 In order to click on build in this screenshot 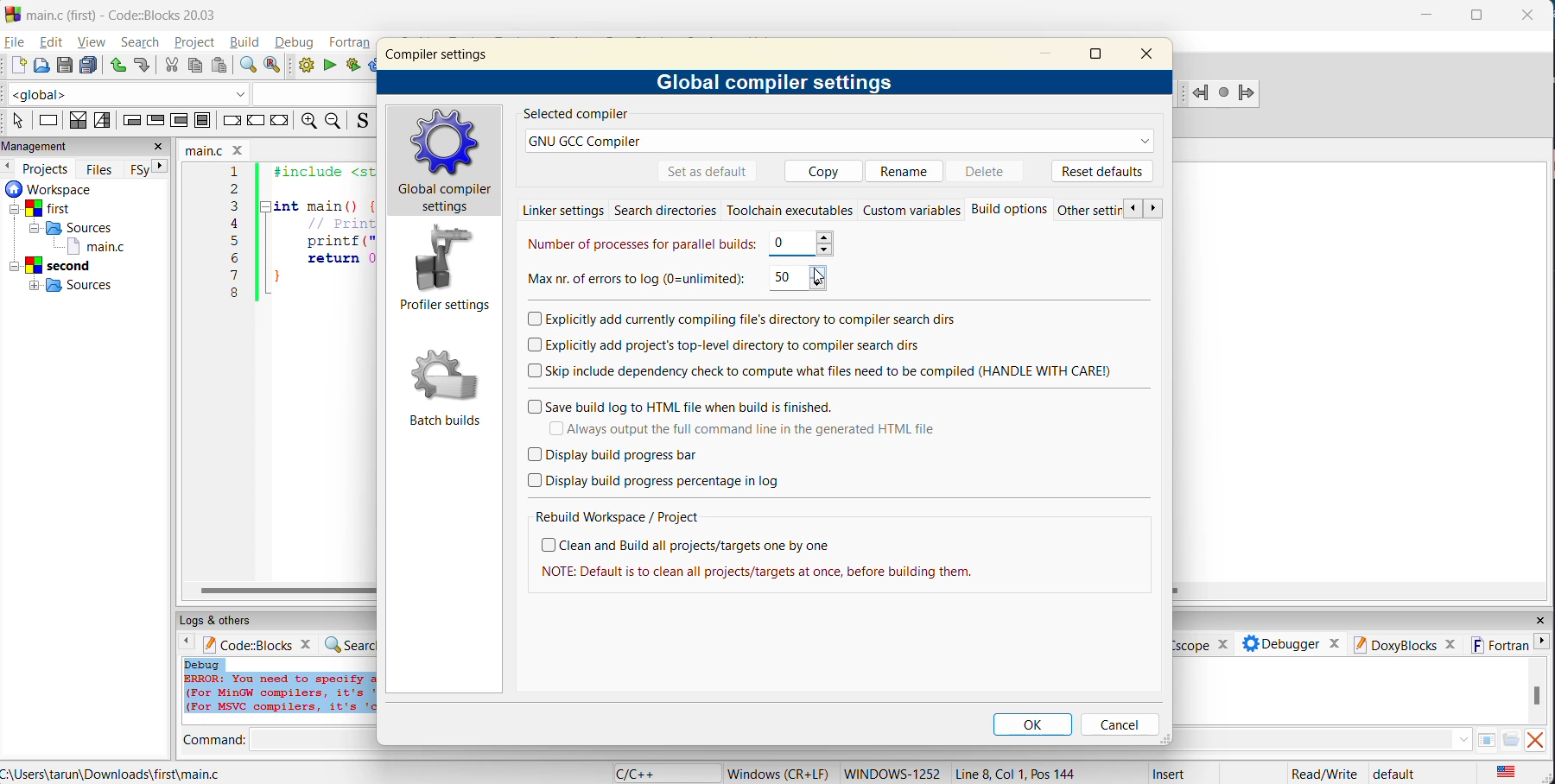, I will do `click(305, 66)`.